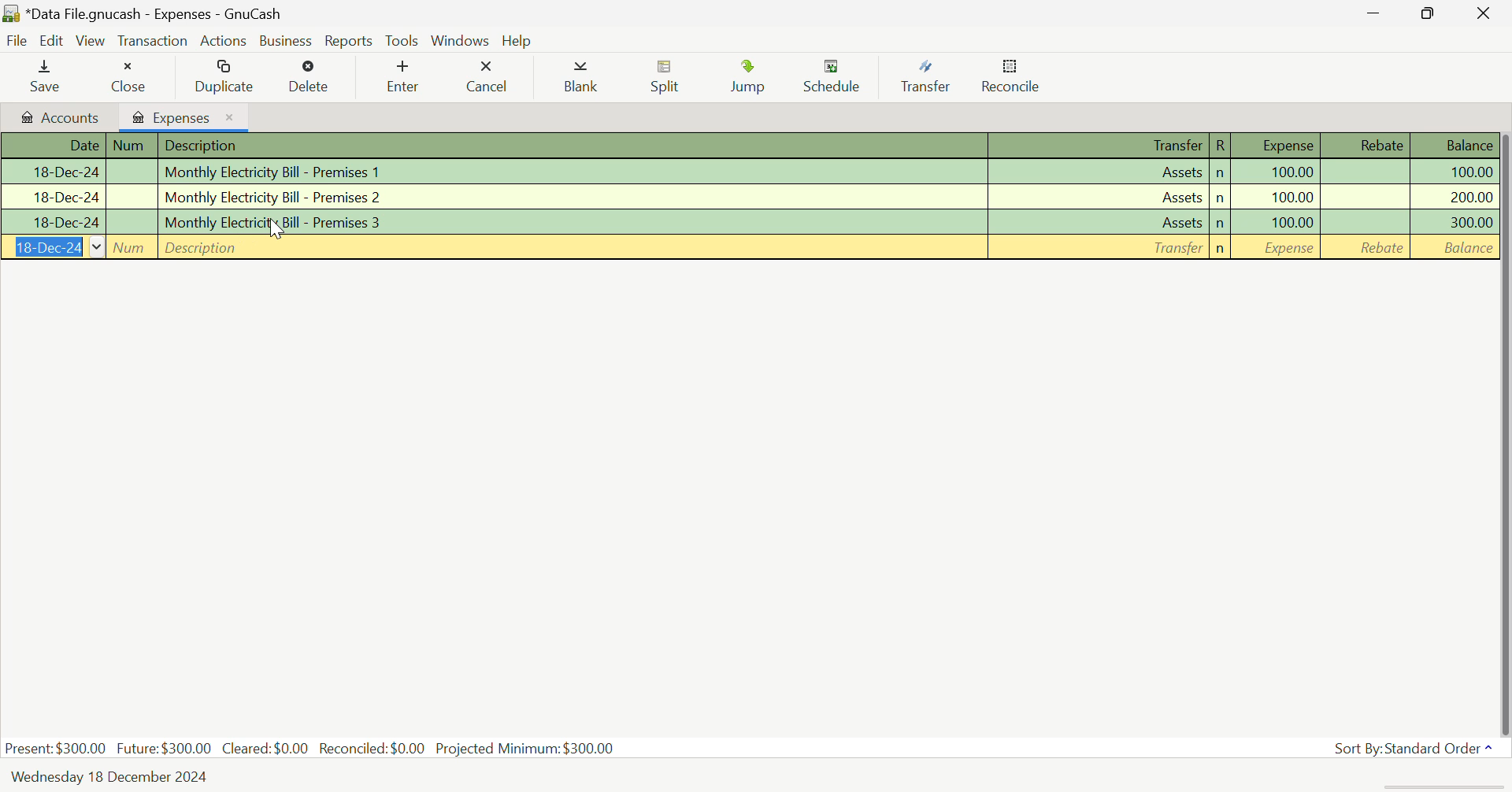 The height and width of the screenshot is (792, 1512). What do you see at coordinates (1411, 747) in the screenshot?
I see `Sort By: Standard Order` at bounding box center [1411, 747].